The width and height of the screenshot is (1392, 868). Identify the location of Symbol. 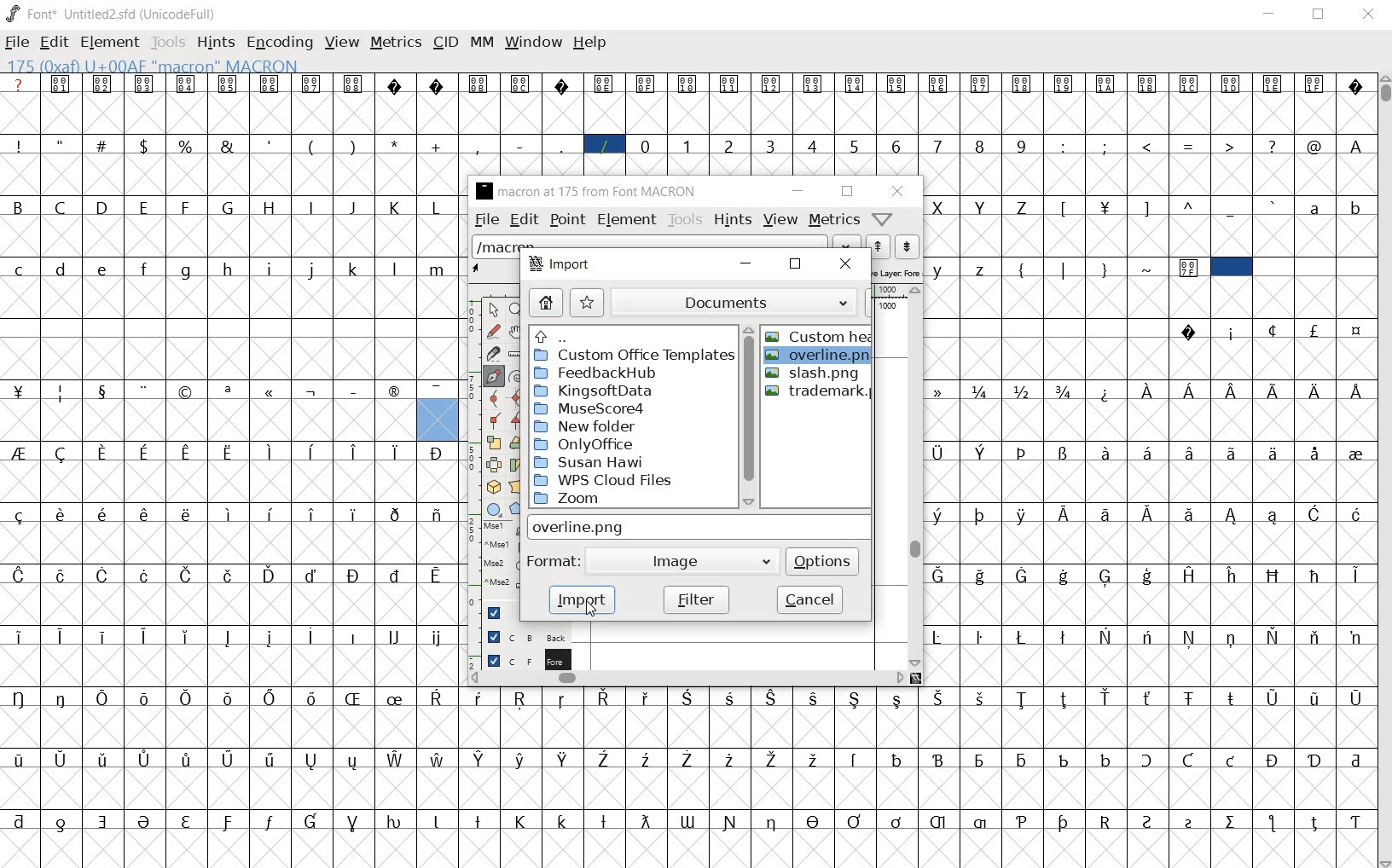
(270, 637).